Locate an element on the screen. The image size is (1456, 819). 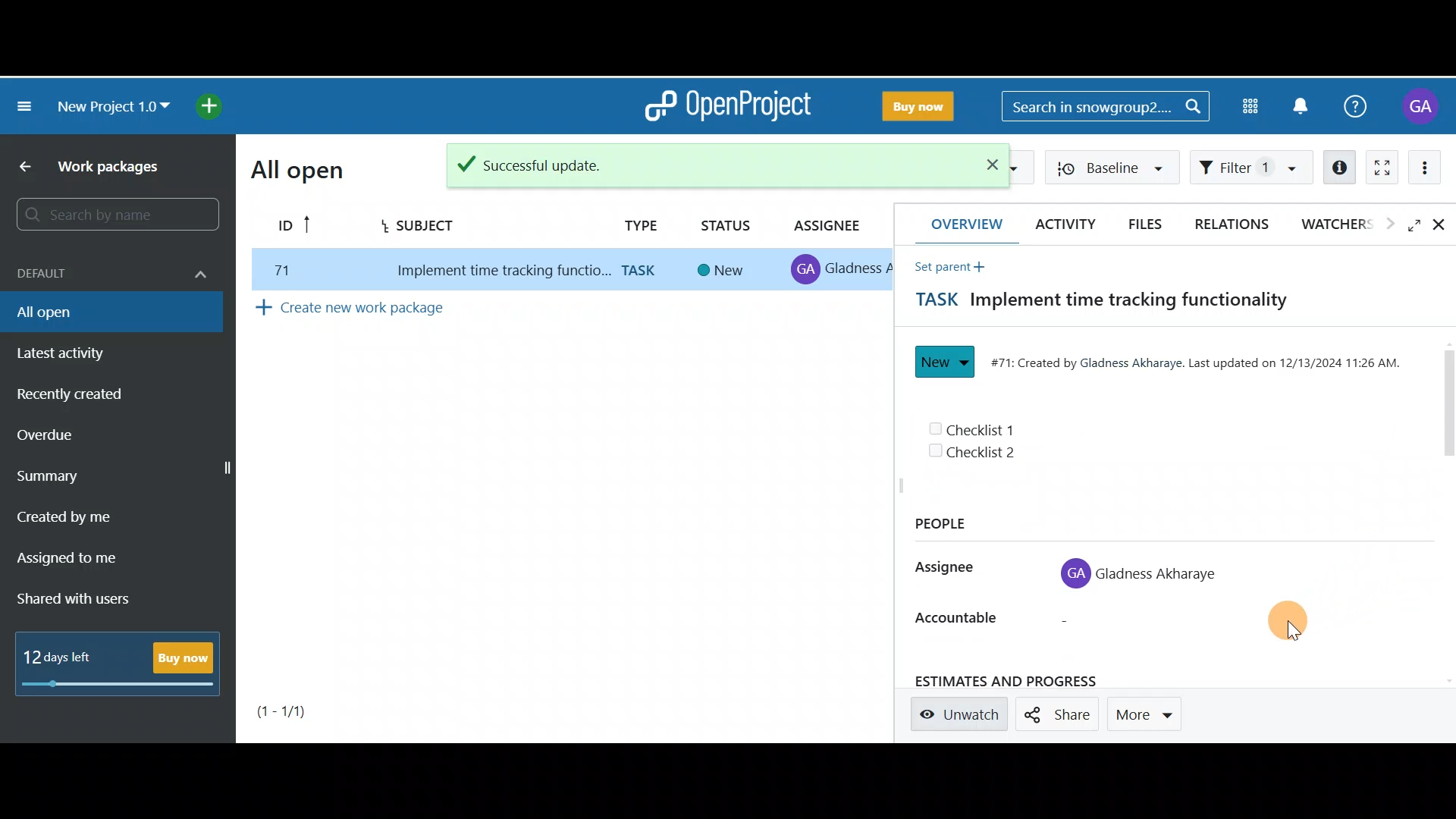
Set parent is located at coordinates (945, 266).